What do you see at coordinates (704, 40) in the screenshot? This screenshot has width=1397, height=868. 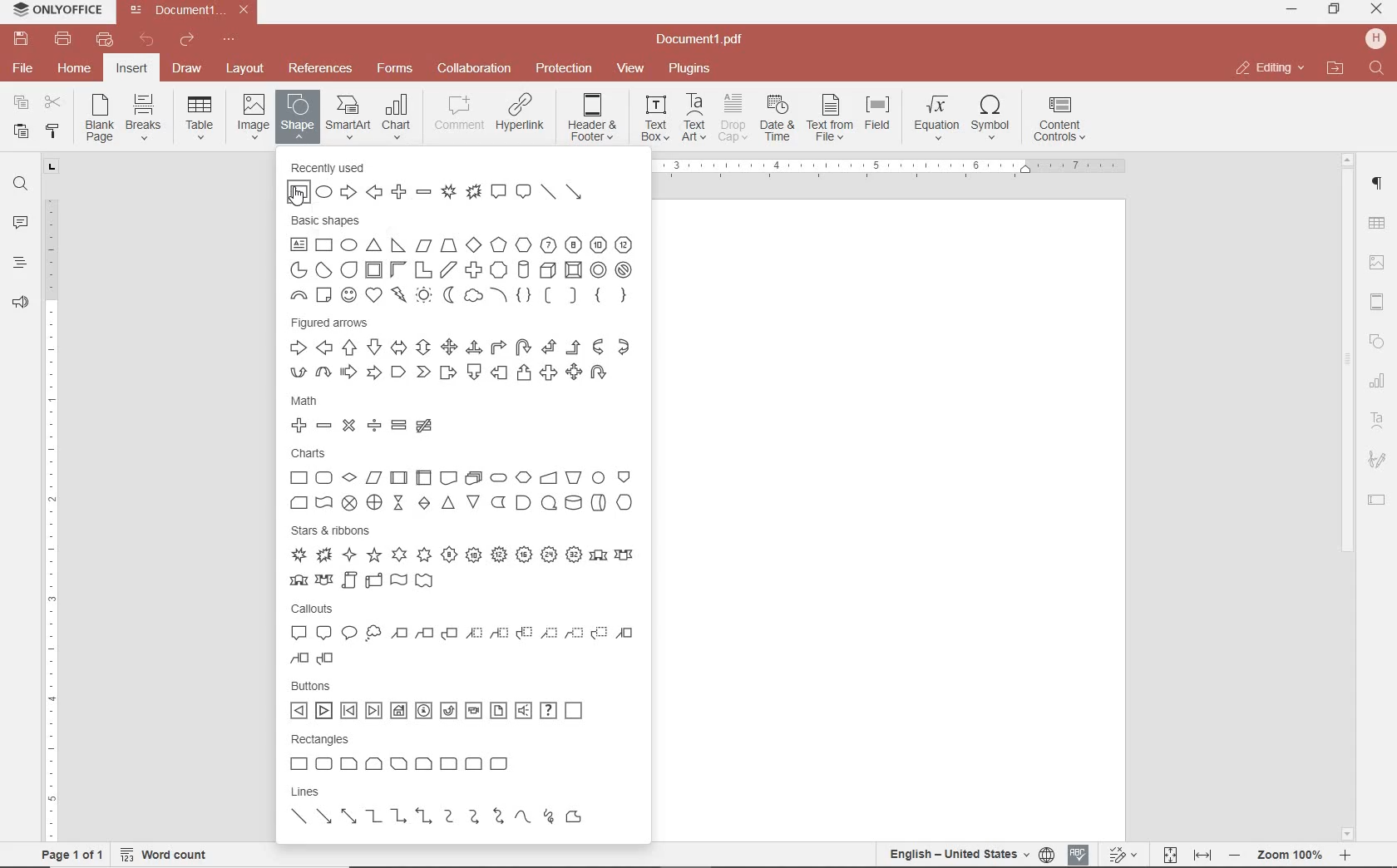 I see `file name` at bounding box center [704, 40].